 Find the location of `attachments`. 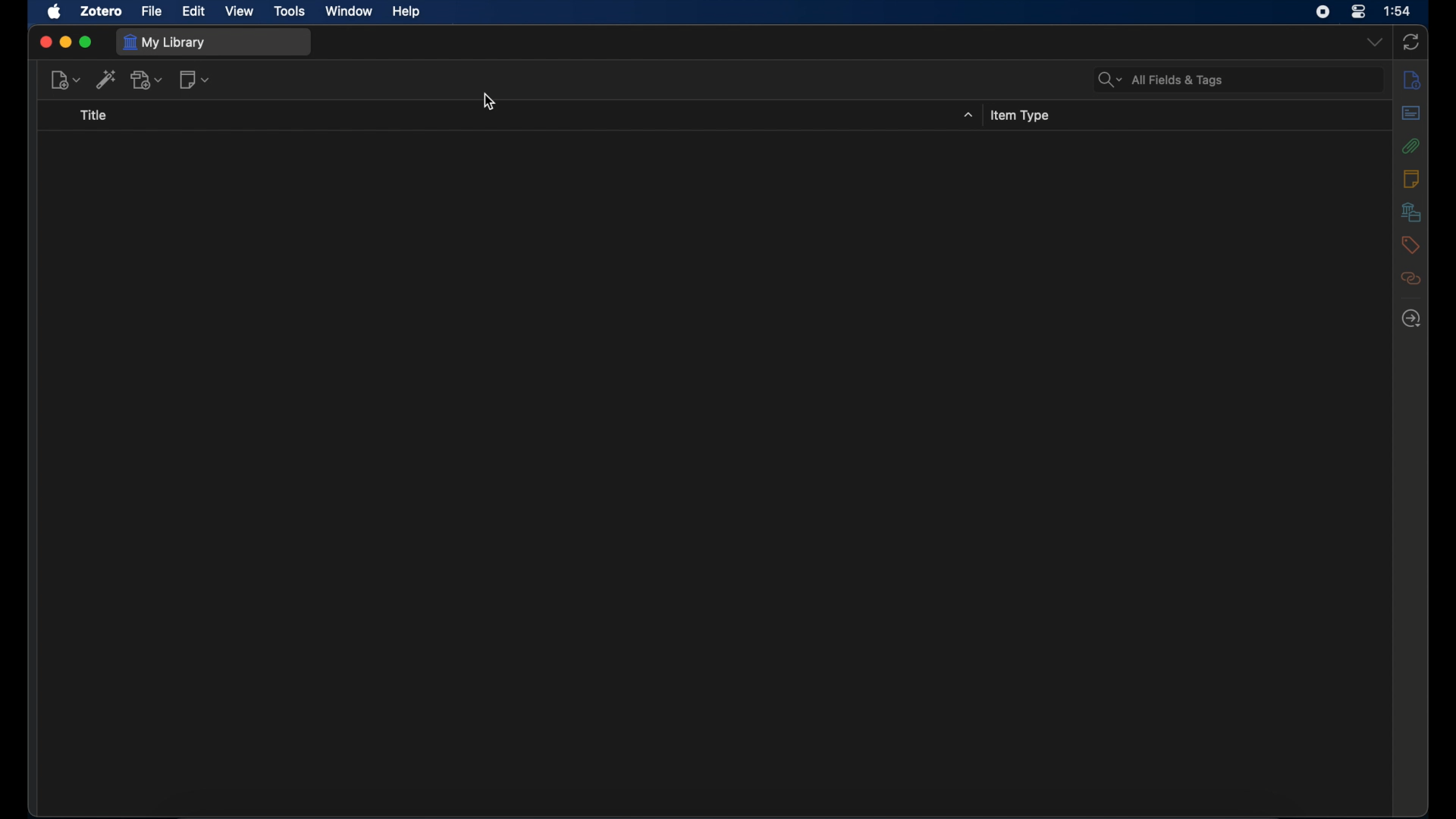

attachments is located at coordinates (1411, 146).